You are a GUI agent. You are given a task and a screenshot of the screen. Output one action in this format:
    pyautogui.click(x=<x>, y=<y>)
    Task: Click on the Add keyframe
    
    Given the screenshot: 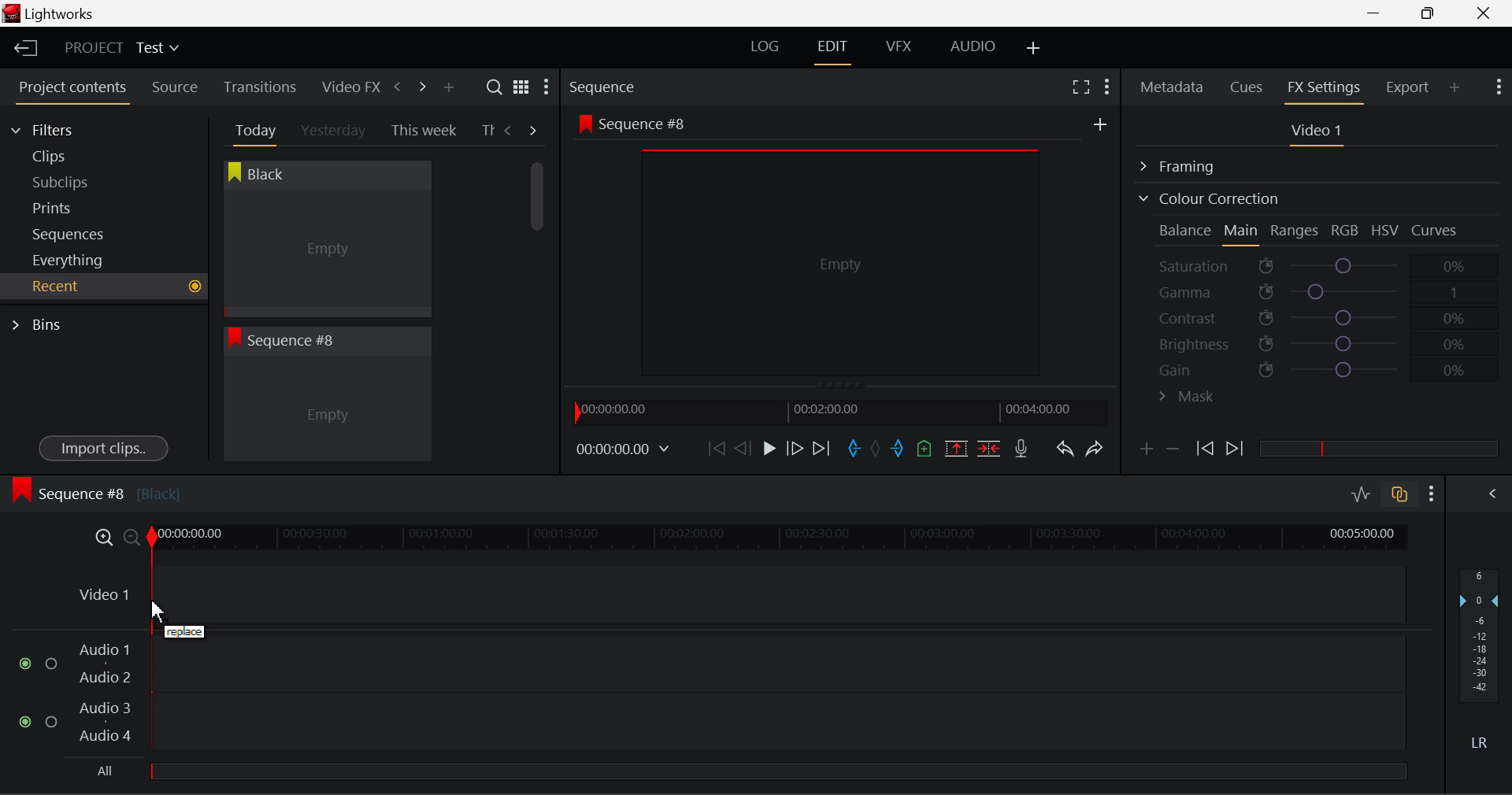 What is the action you would take?
    pyautogui.click(x=1143, y=452)
    